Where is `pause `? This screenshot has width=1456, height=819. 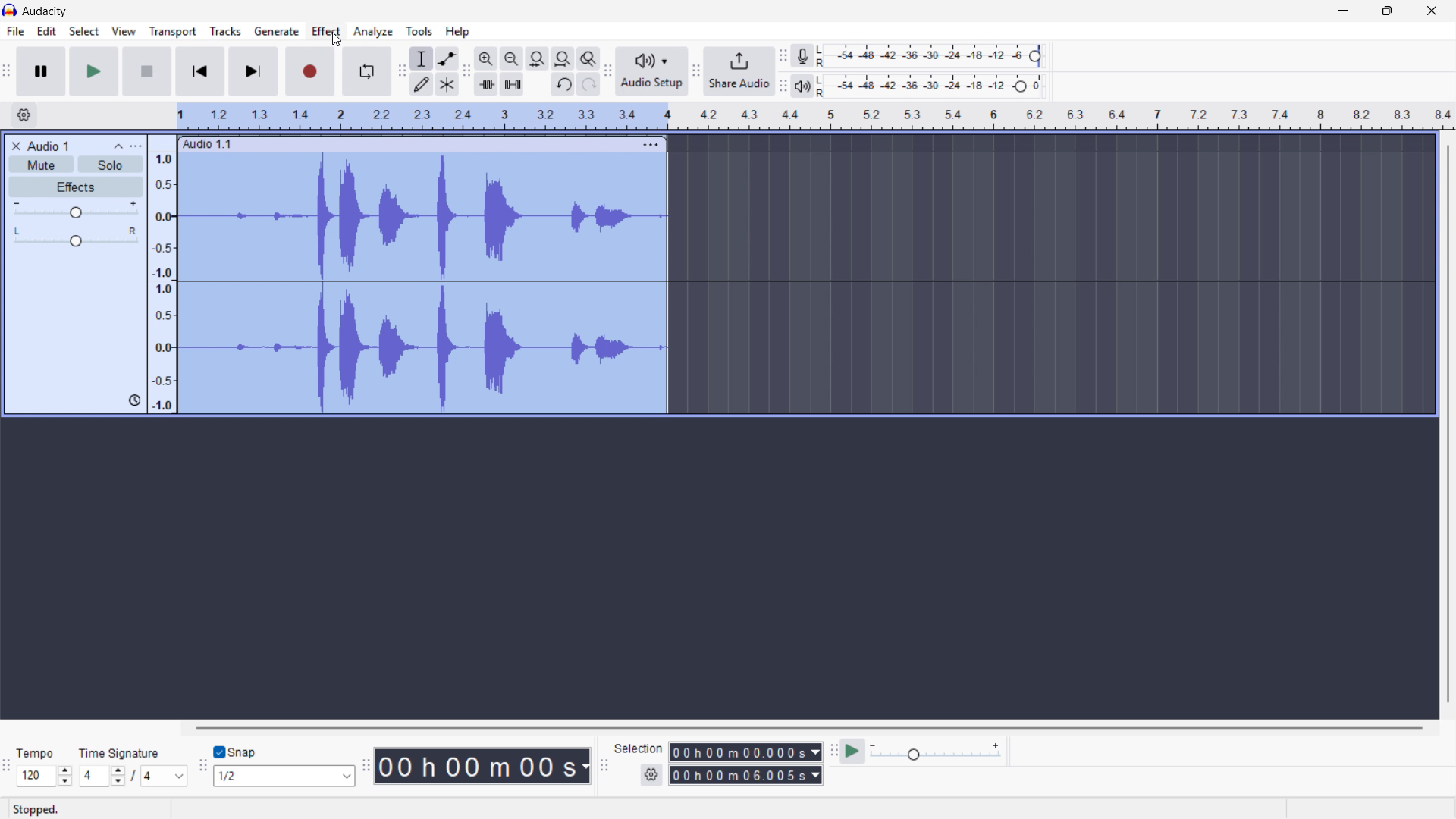
pause  is located at coordinates (40, 71).